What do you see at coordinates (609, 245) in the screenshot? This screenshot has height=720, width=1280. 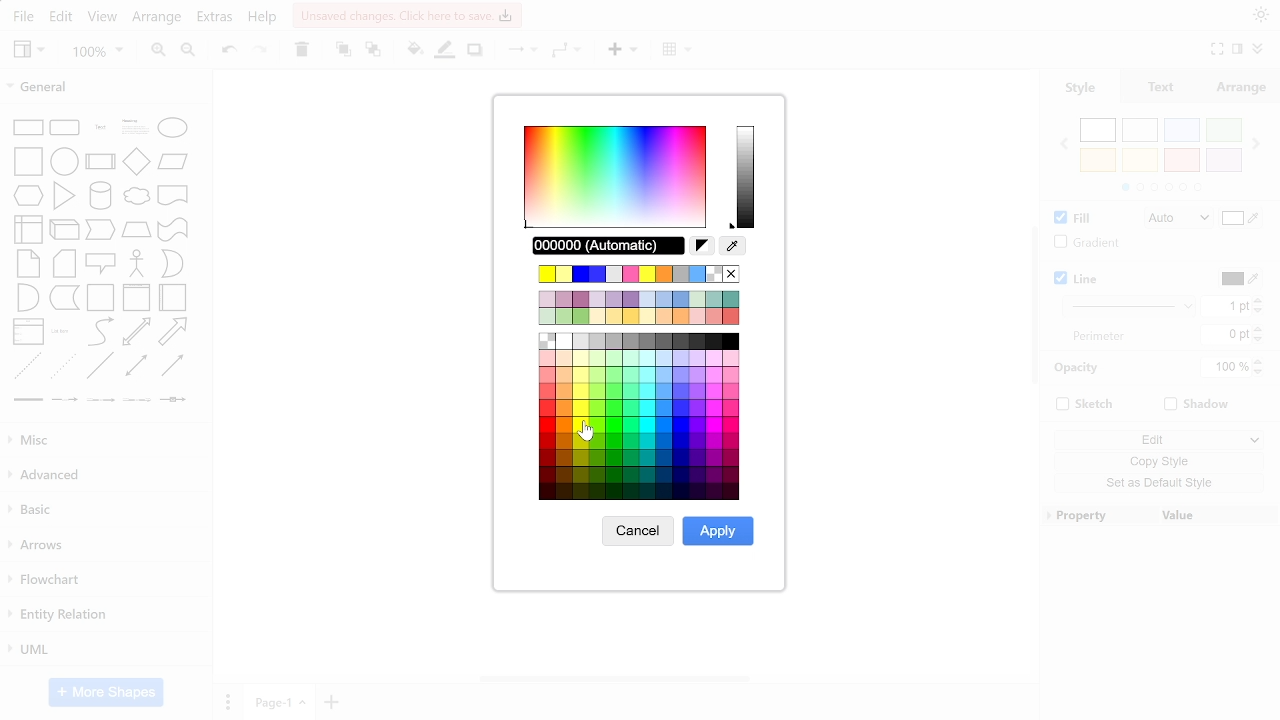 I see `current color` at bounding box center [609, 245].